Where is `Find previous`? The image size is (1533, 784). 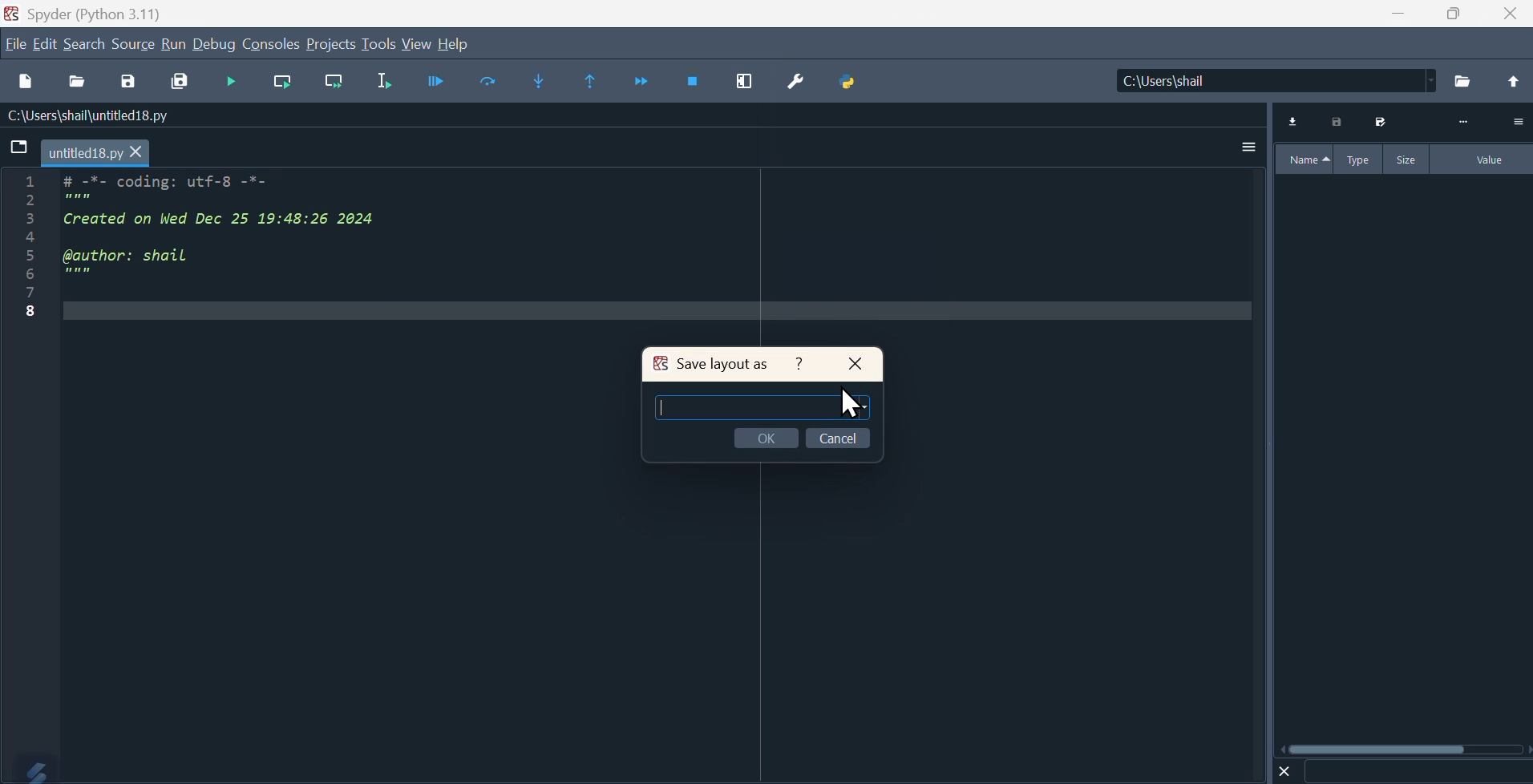 Find previous is located at coordinates (593, 82).